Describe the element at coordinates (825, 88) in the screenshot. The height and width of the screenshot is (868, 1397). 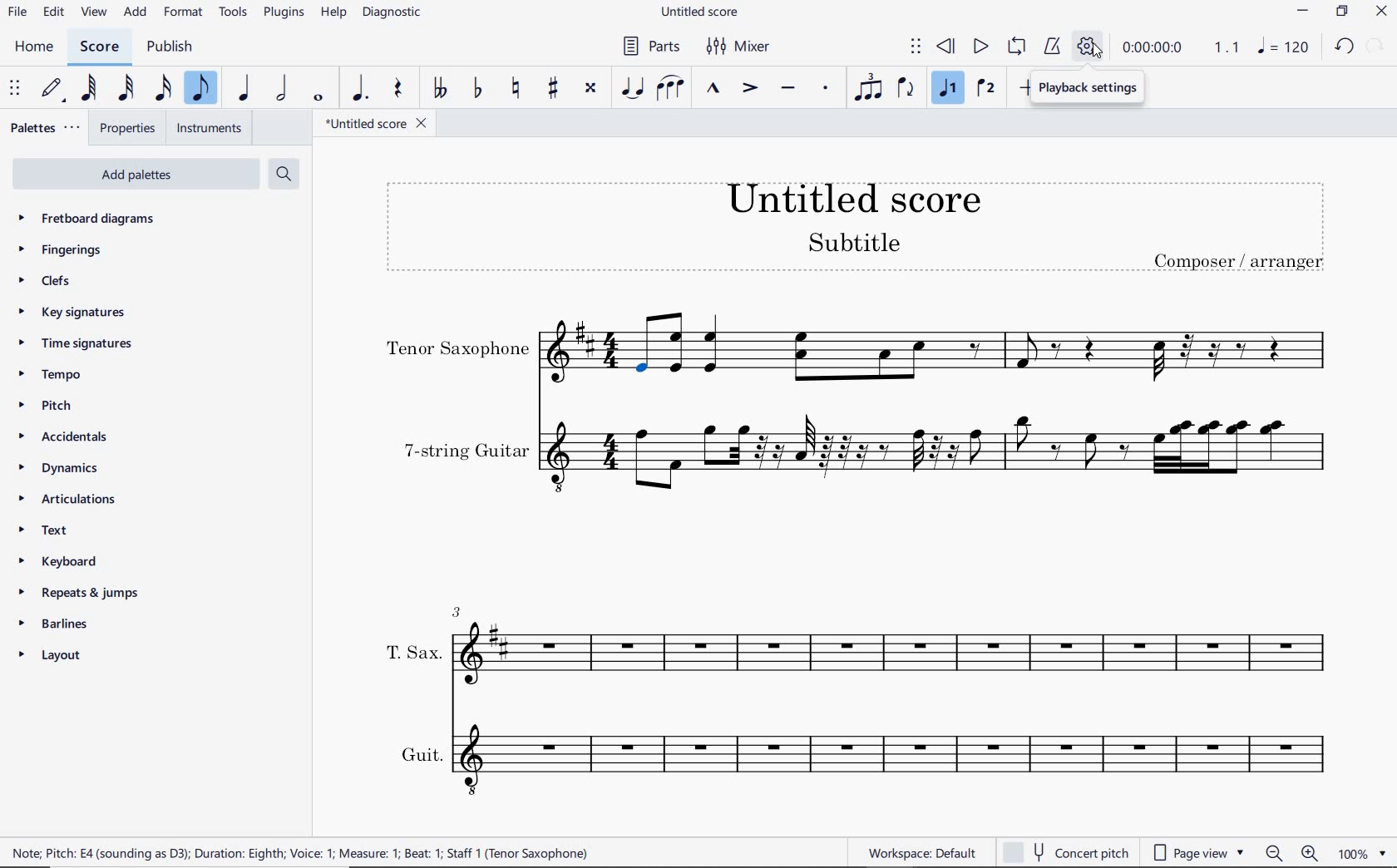
I see `STACCATO` at that location.